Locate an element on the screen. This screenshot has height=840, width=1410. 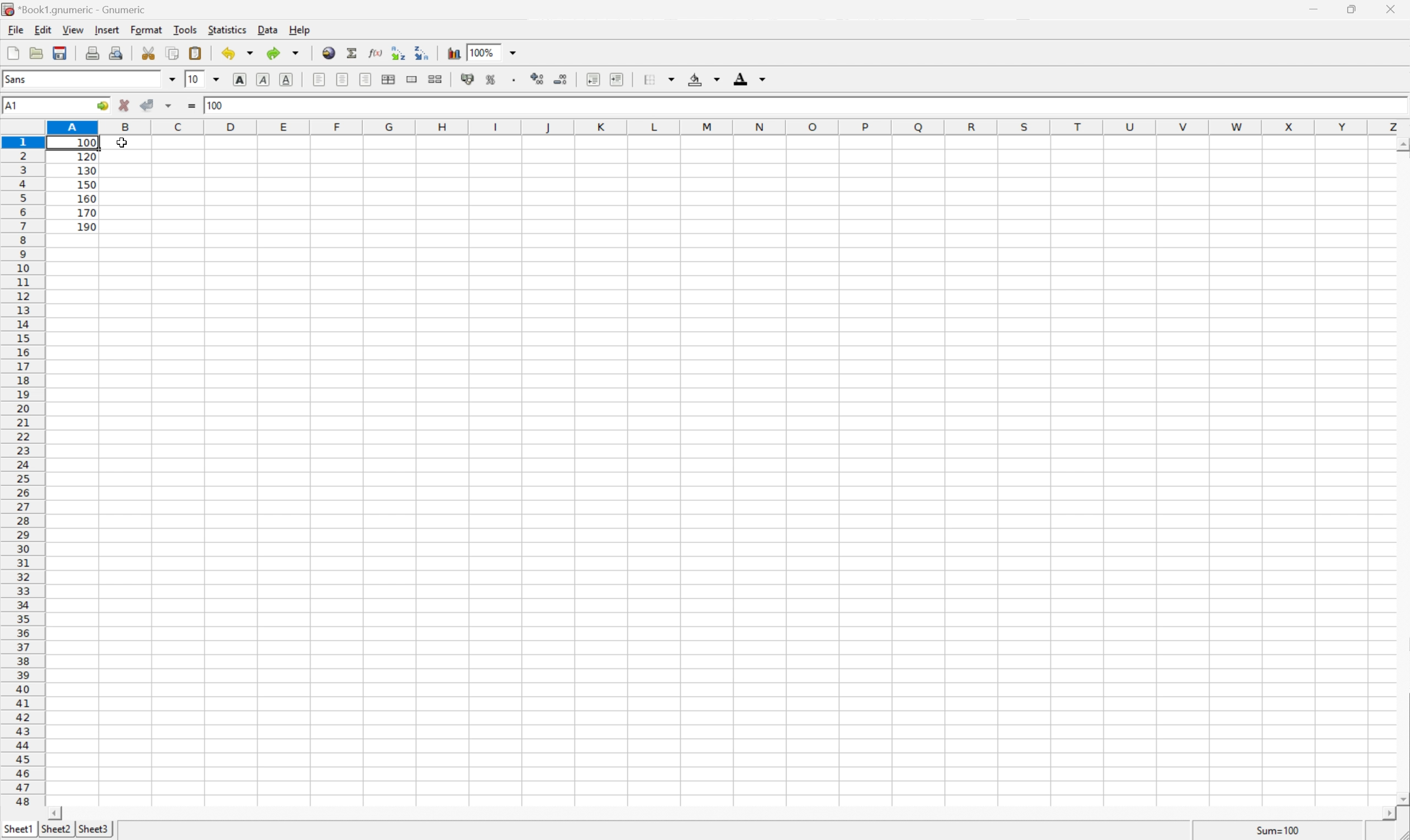
Edit function in current cell is located at coordinates (375, 53).